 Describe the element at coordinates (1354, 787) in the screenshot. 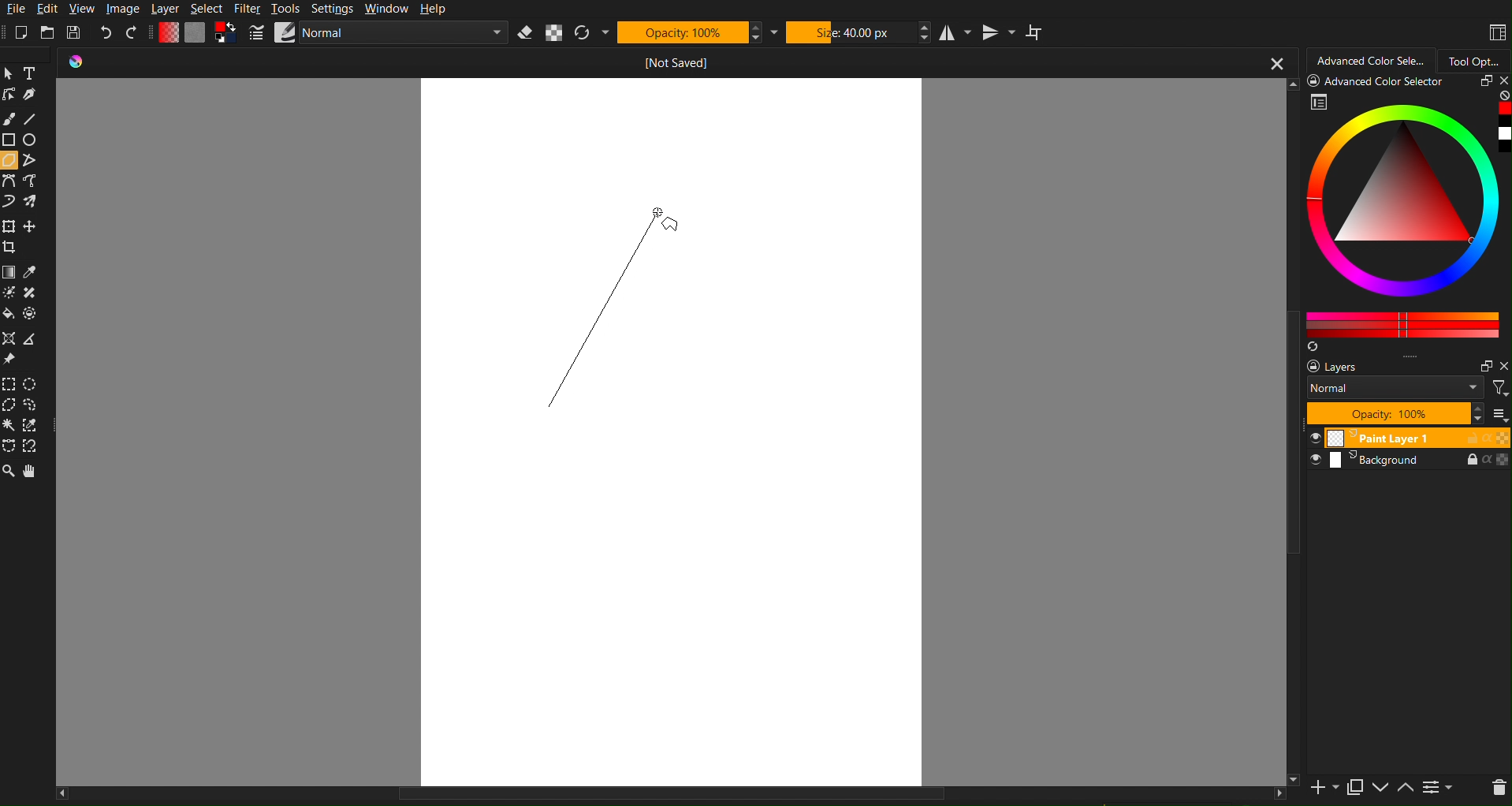

I see `duplicate layer or mask` at that location.